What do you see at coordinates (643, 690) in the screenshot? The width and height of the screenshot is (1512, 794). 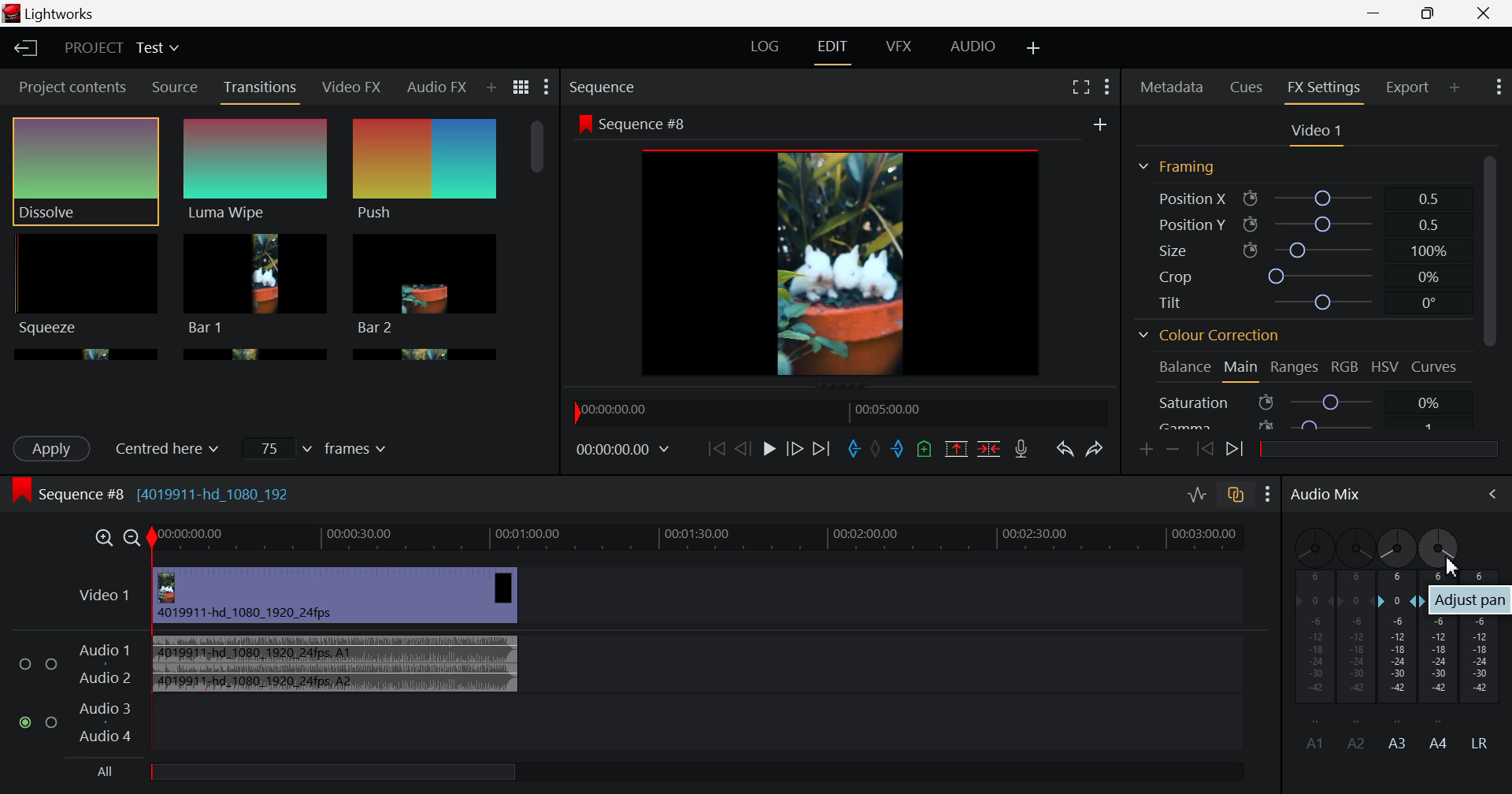 I see `Audio Input Field` at bounding box center [643, 690].